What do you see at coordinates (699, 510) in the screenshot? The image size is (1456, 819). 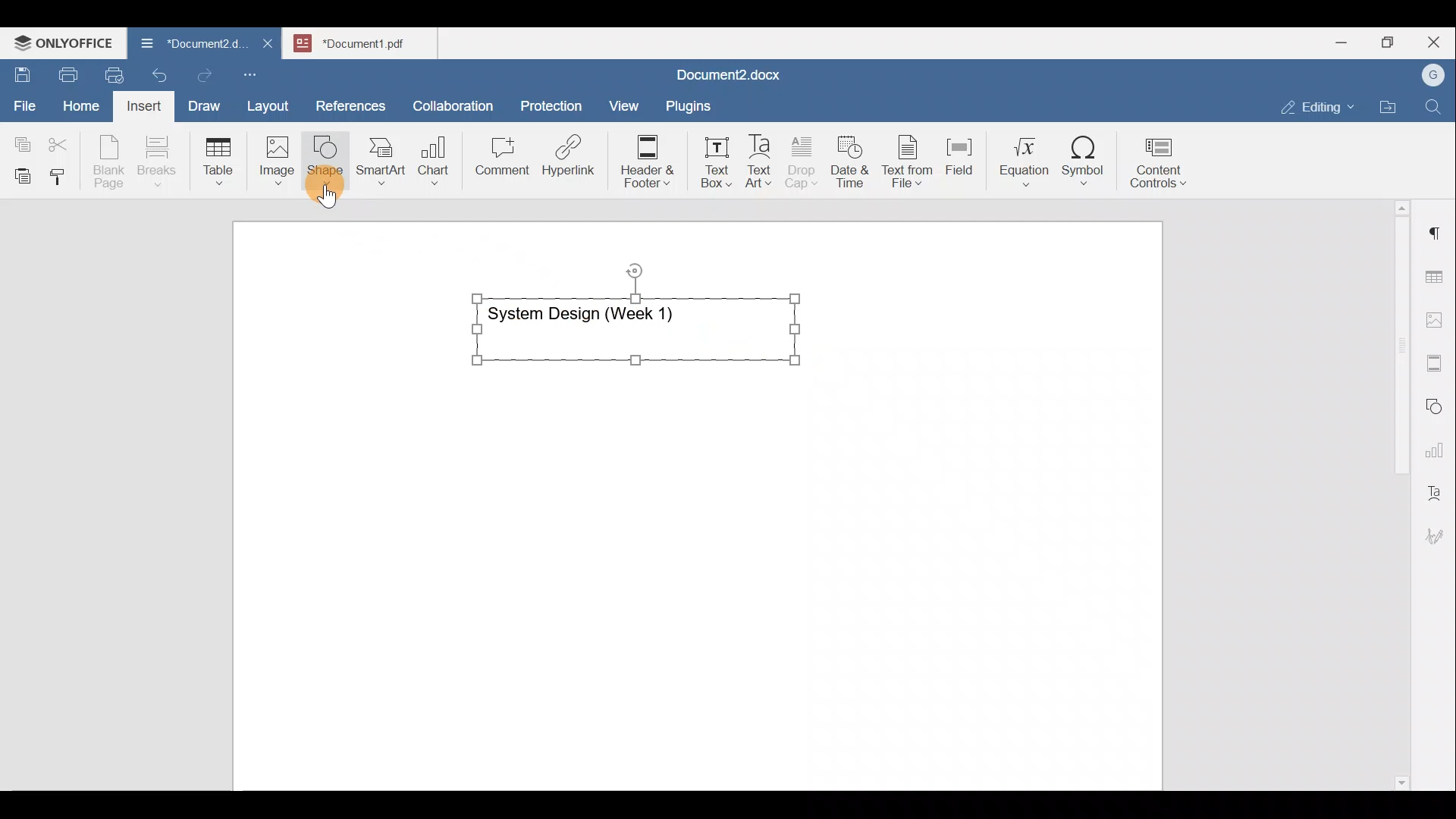 I see `Working area` at bounding box center [699, 510].